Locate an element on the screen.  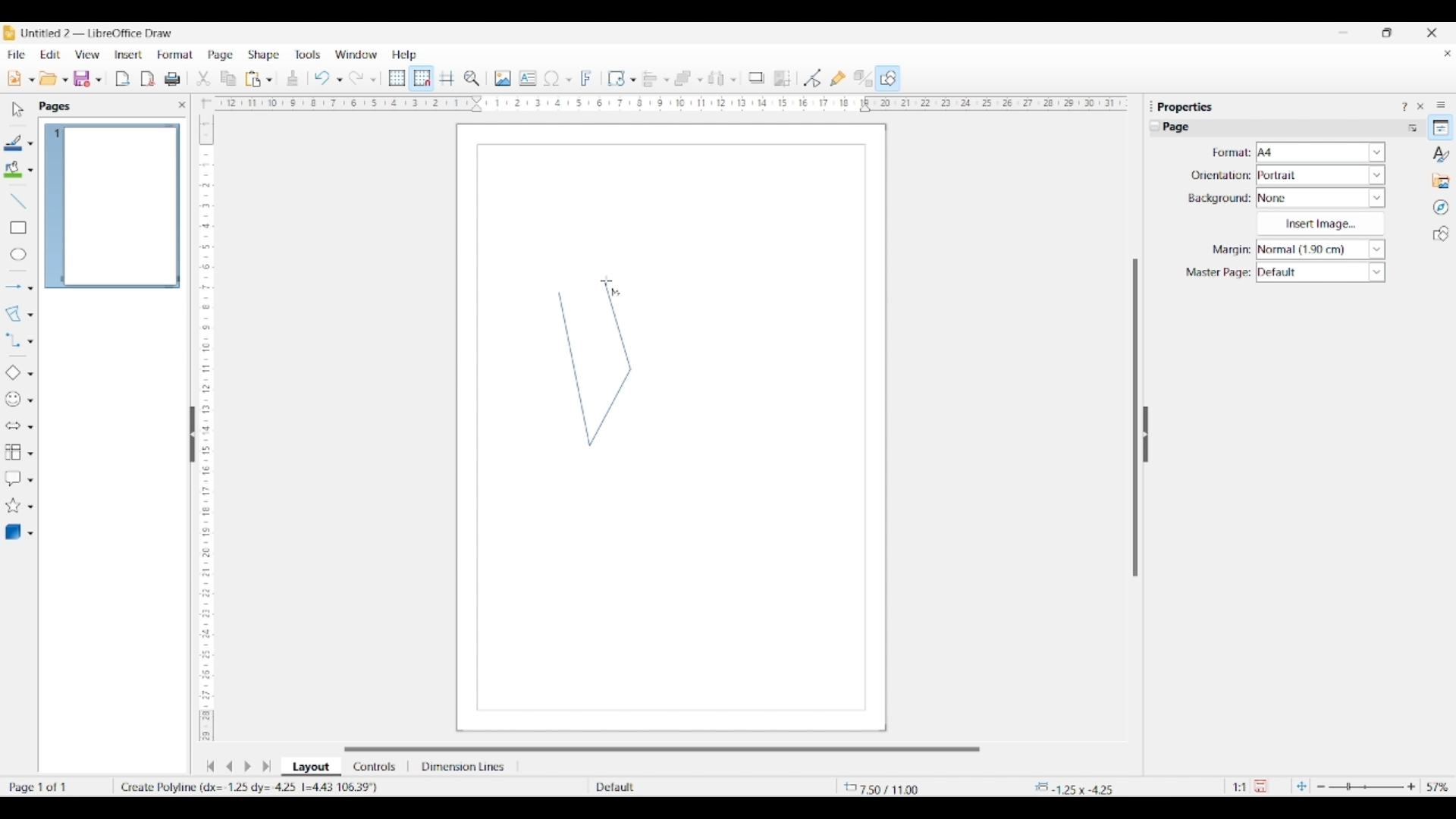
Page is located at coordinates (221, 56).